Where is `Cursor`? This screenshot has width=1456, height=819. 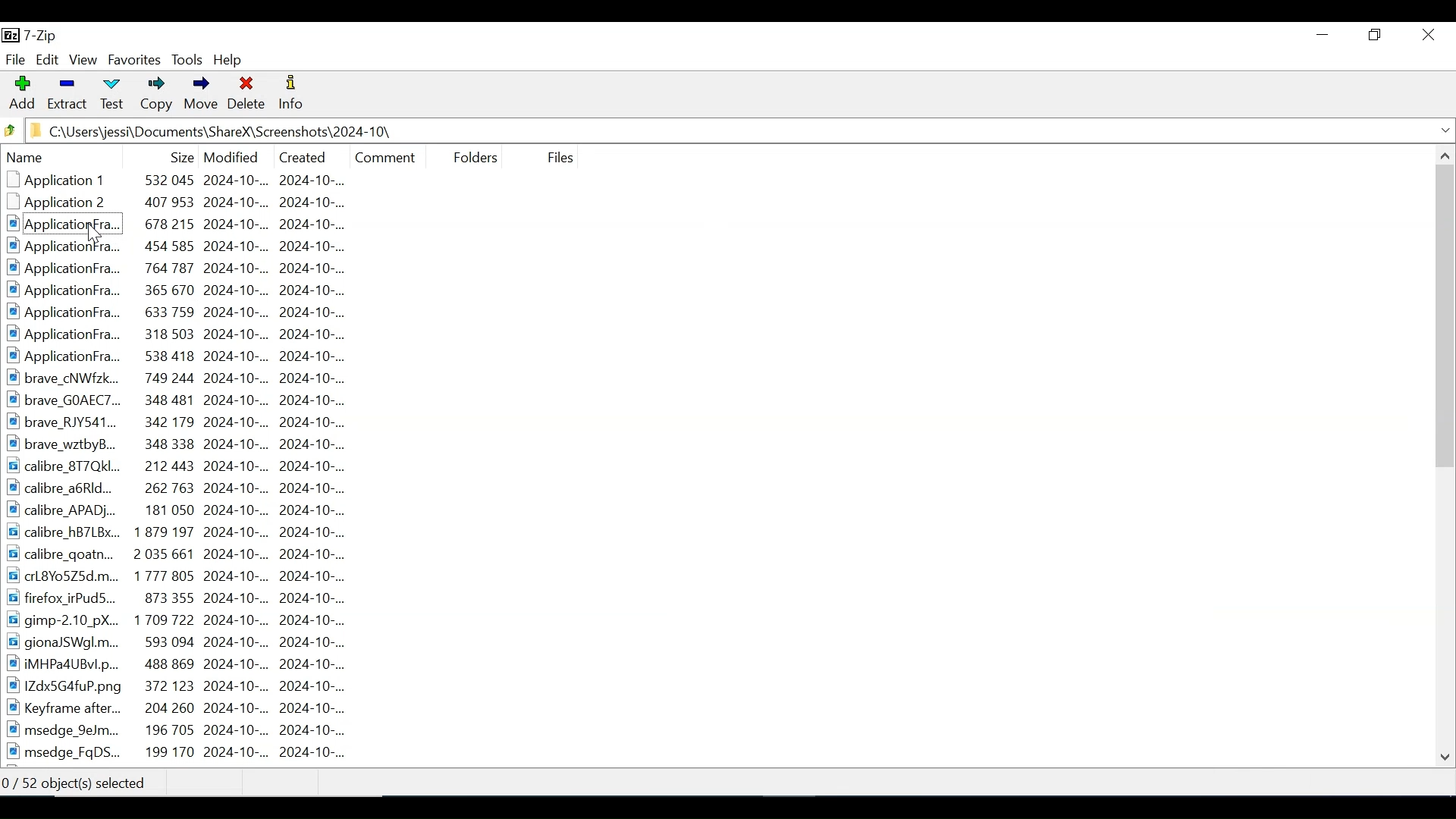
Cursor is located at coordinates (98, 231).